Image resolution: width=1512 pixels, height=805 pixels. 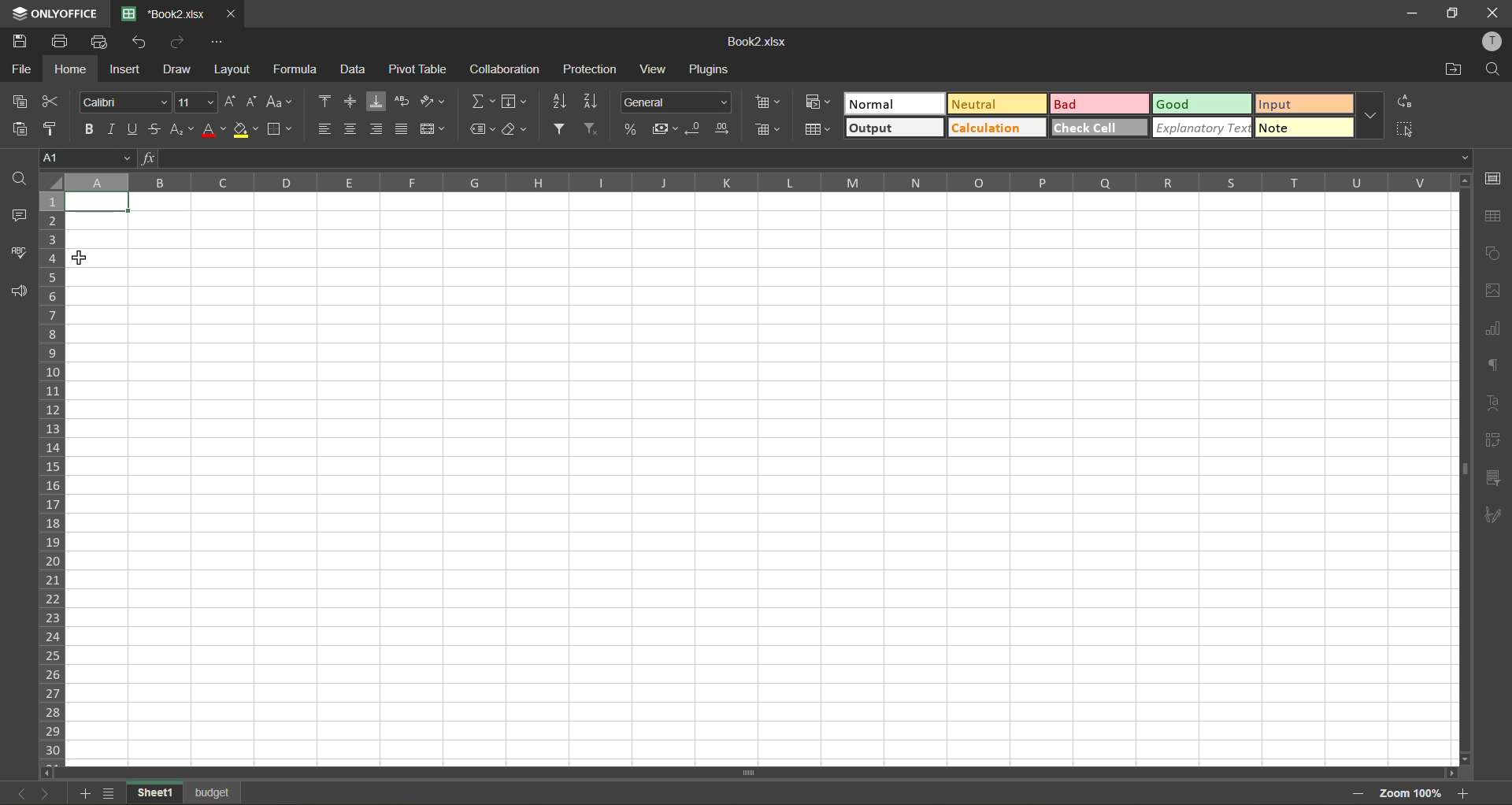 I want to click on align left, so click(x=324, y=128).